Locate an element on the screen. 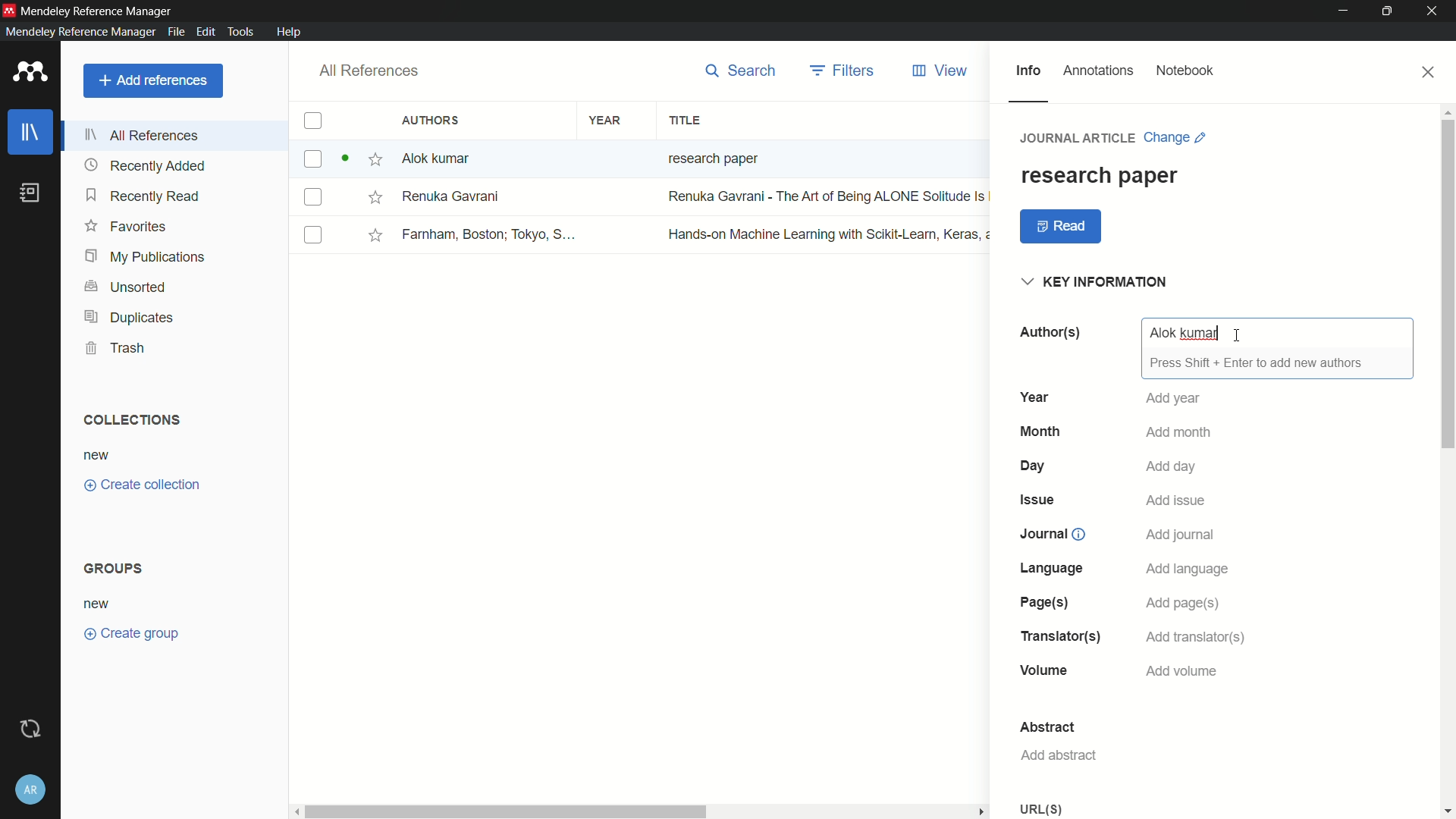 The width and height of the screenshot is (1456, 819). change is located at coordinates (1175, 137).